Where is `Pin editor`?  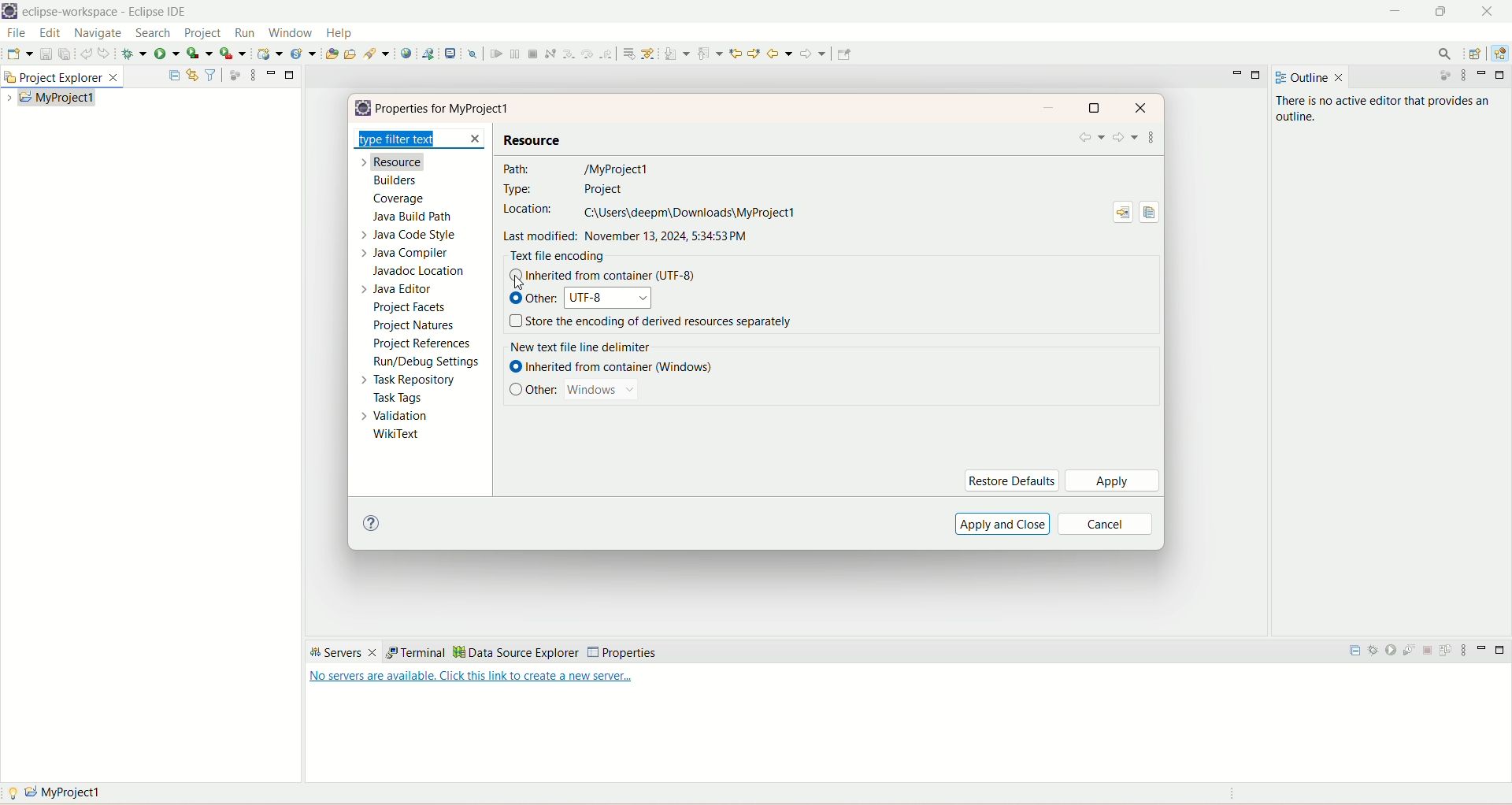
Pin editor is located at coordinates (845, 54).